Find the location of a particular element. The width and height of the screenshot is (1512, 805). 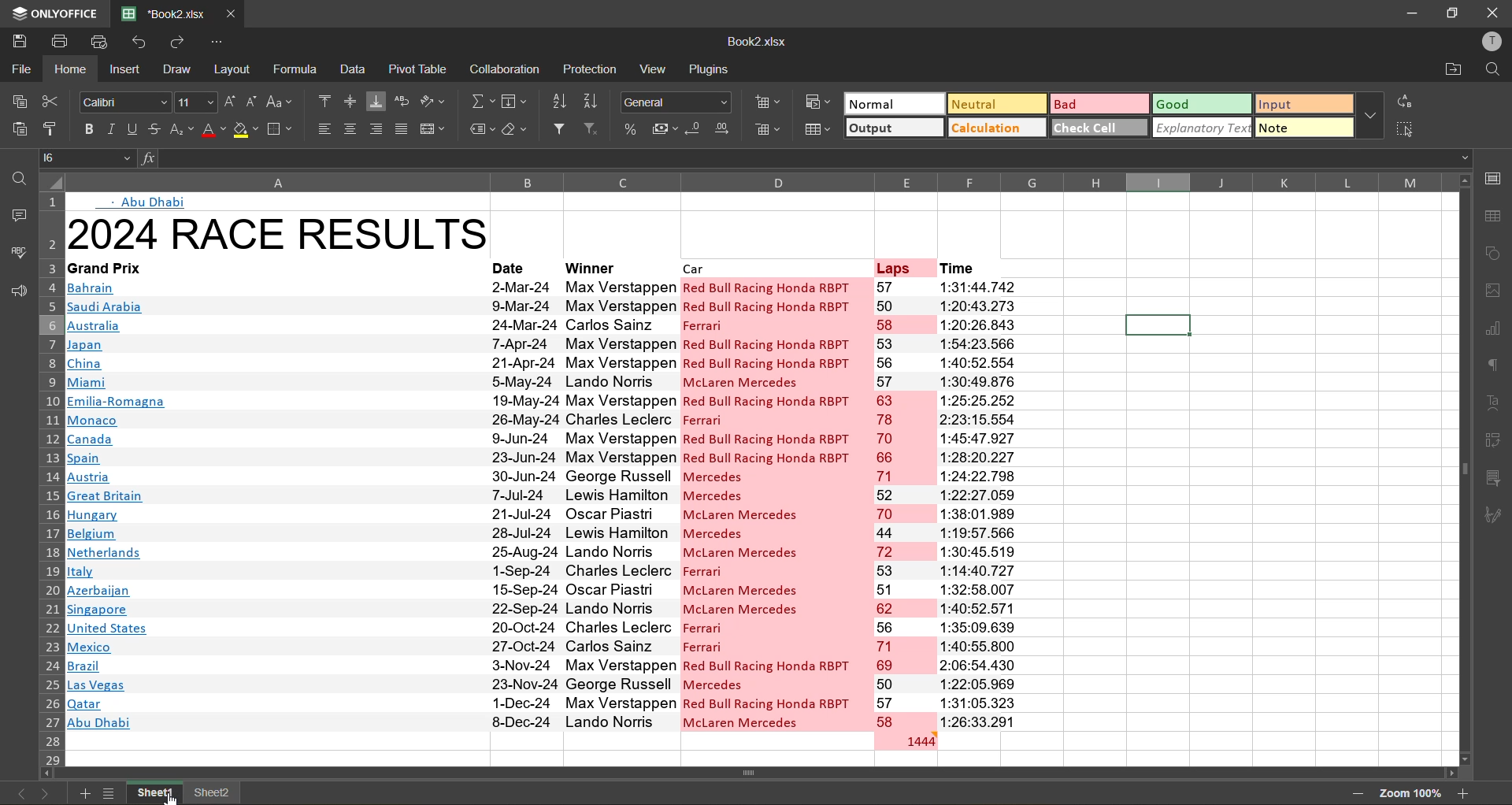

maximize is located at coordinates (1450, 13).